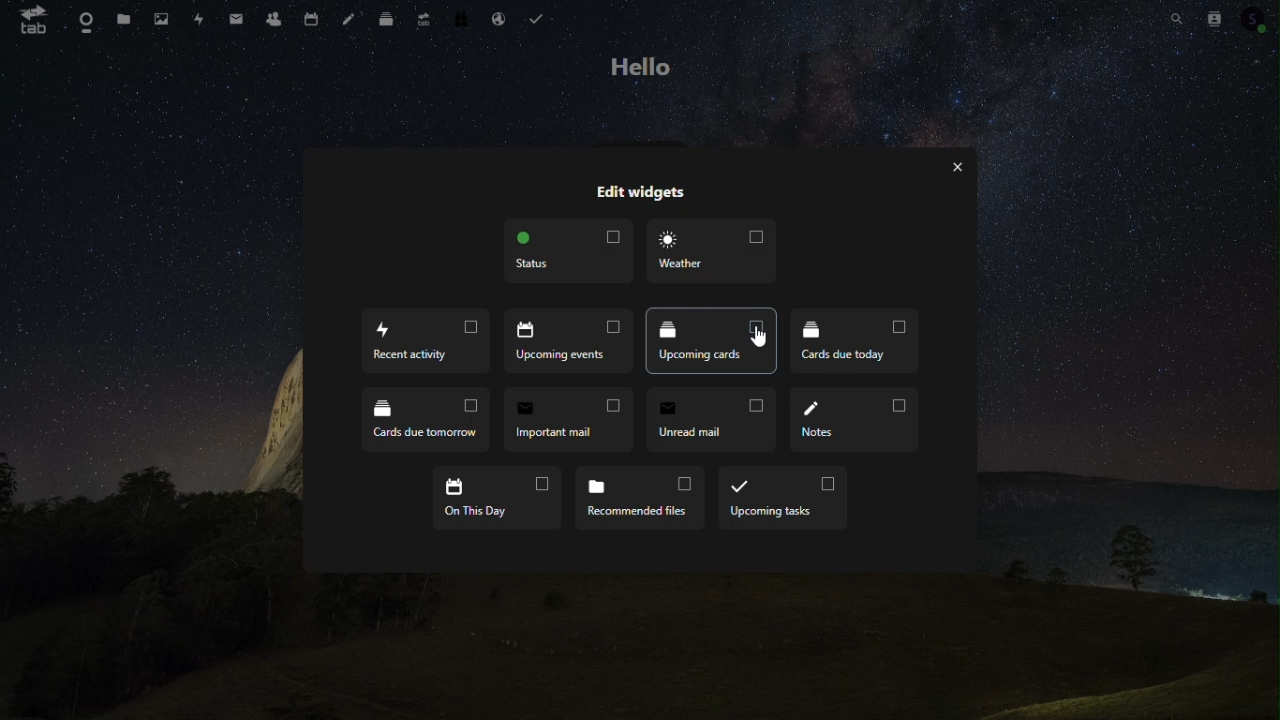  What do you see at coordinates (711, 249) in the screenshot?
I see `weather` at bounding box center [711, 249].